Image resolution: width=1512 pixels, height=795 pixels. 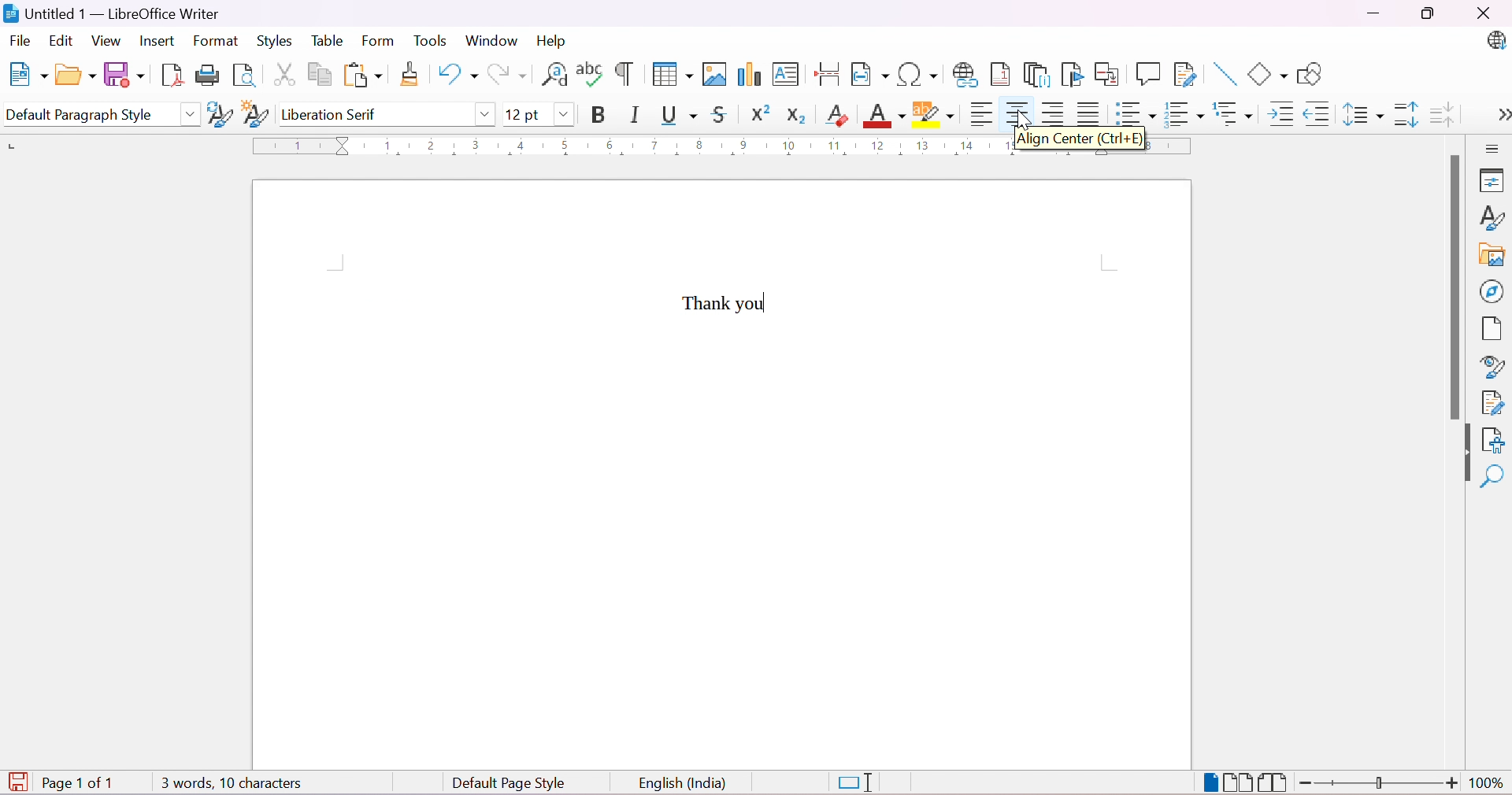 I want to click on Character Highlighting Color, so click(x=932, y=116).